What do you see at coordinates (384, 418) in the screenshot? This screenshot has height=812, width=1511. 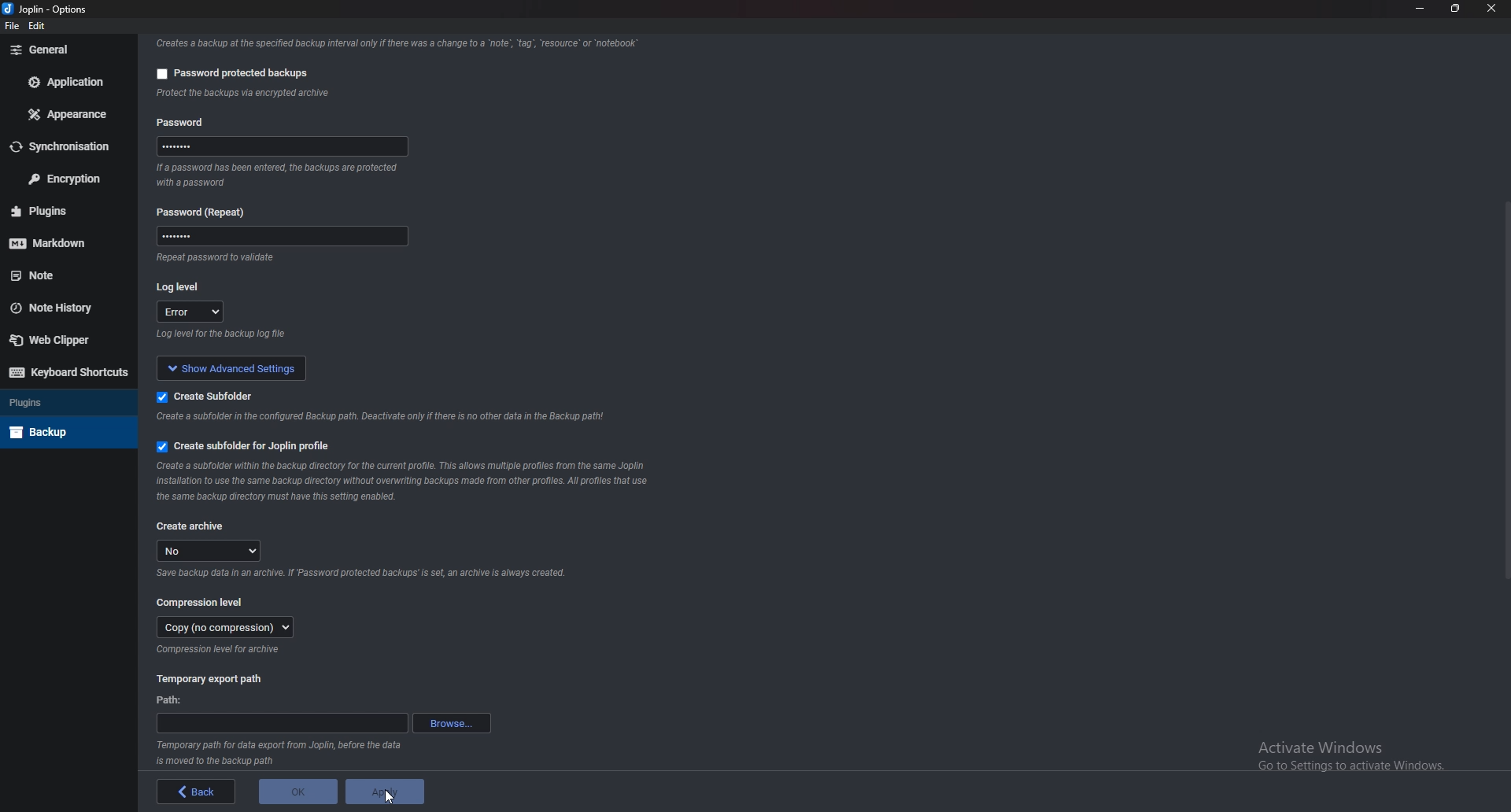 I see `info` at bounding box center [384, 418].